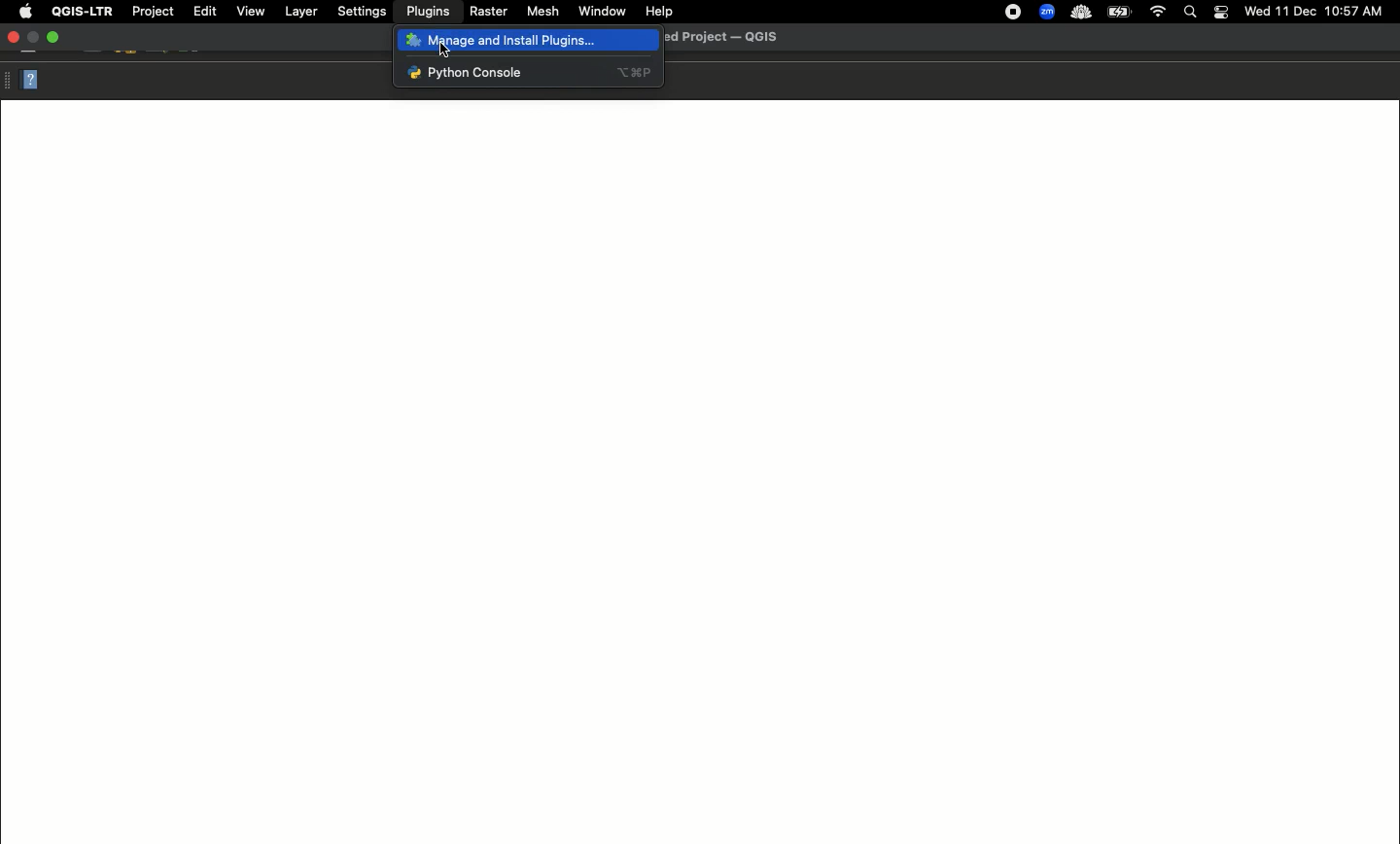 Image resolution: width=1400 pixels, height=844 pixels. What do you see at coordinates (1083, 14) in the screenshot?
I see `Extension` at bounding box center [1083, 14].